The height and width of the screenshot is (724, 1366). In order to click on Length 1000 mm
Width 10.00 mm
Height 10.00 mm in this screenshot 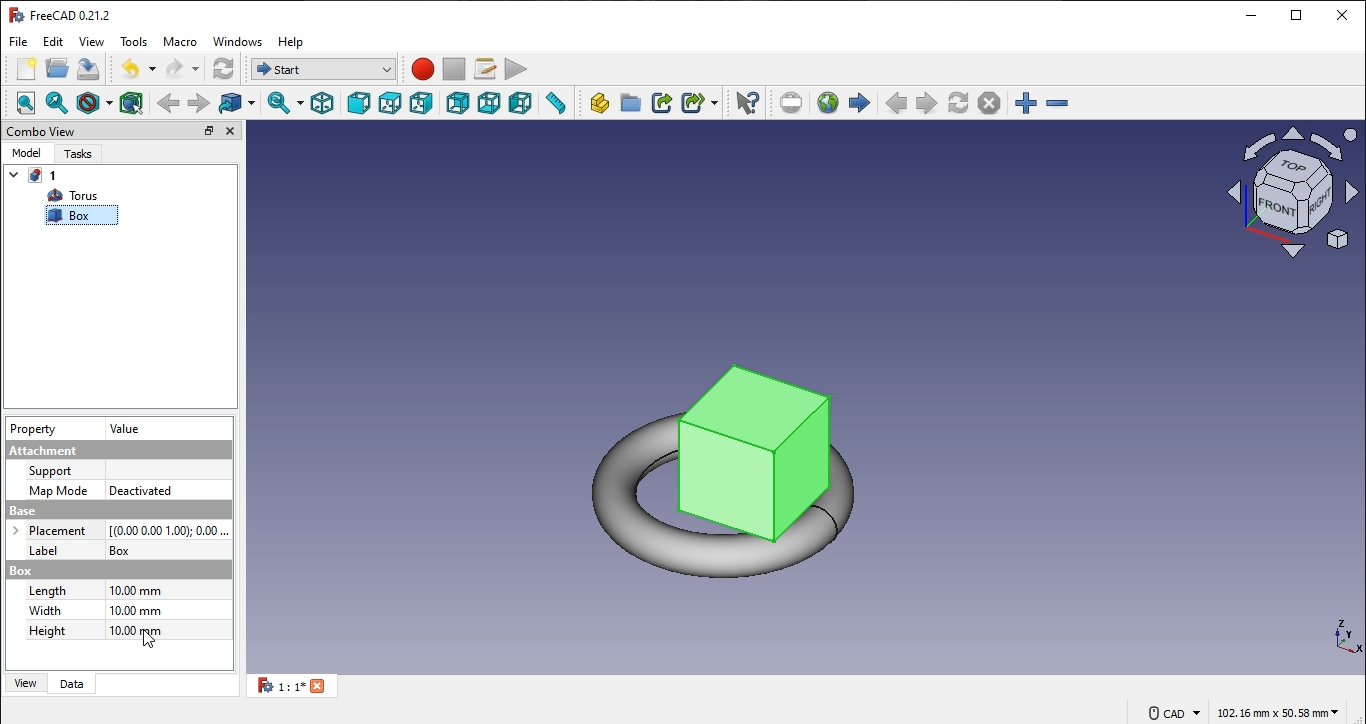, I will do `click(121, 615)`.